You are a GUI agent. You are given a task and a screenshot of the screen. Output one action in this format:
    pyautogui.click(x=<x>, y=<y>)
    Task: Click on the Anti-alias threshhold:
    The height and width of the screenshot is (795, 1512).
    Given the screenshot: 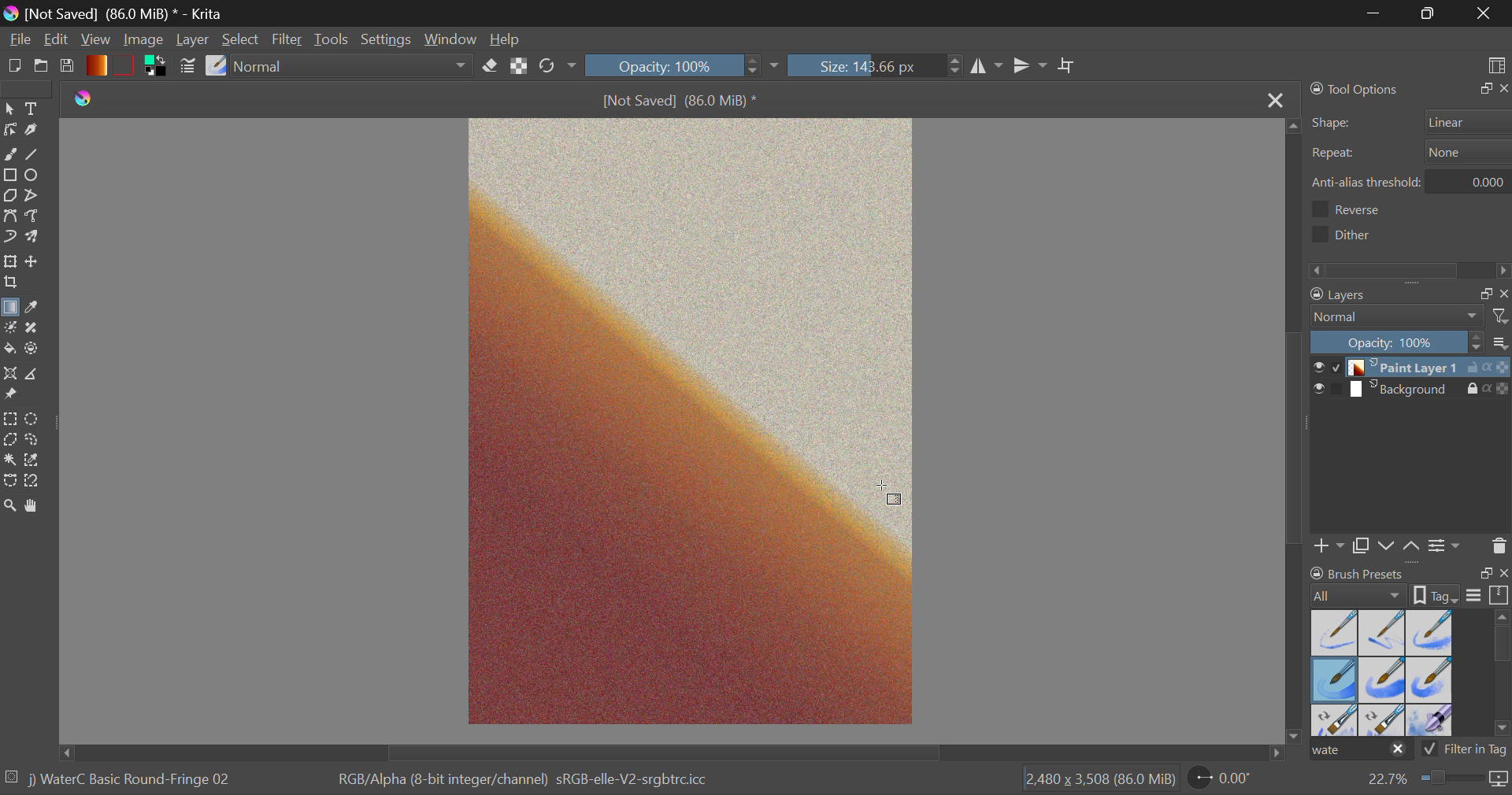 What is the action you would take?
    pyautogui.click(x=1367, y=182)
    